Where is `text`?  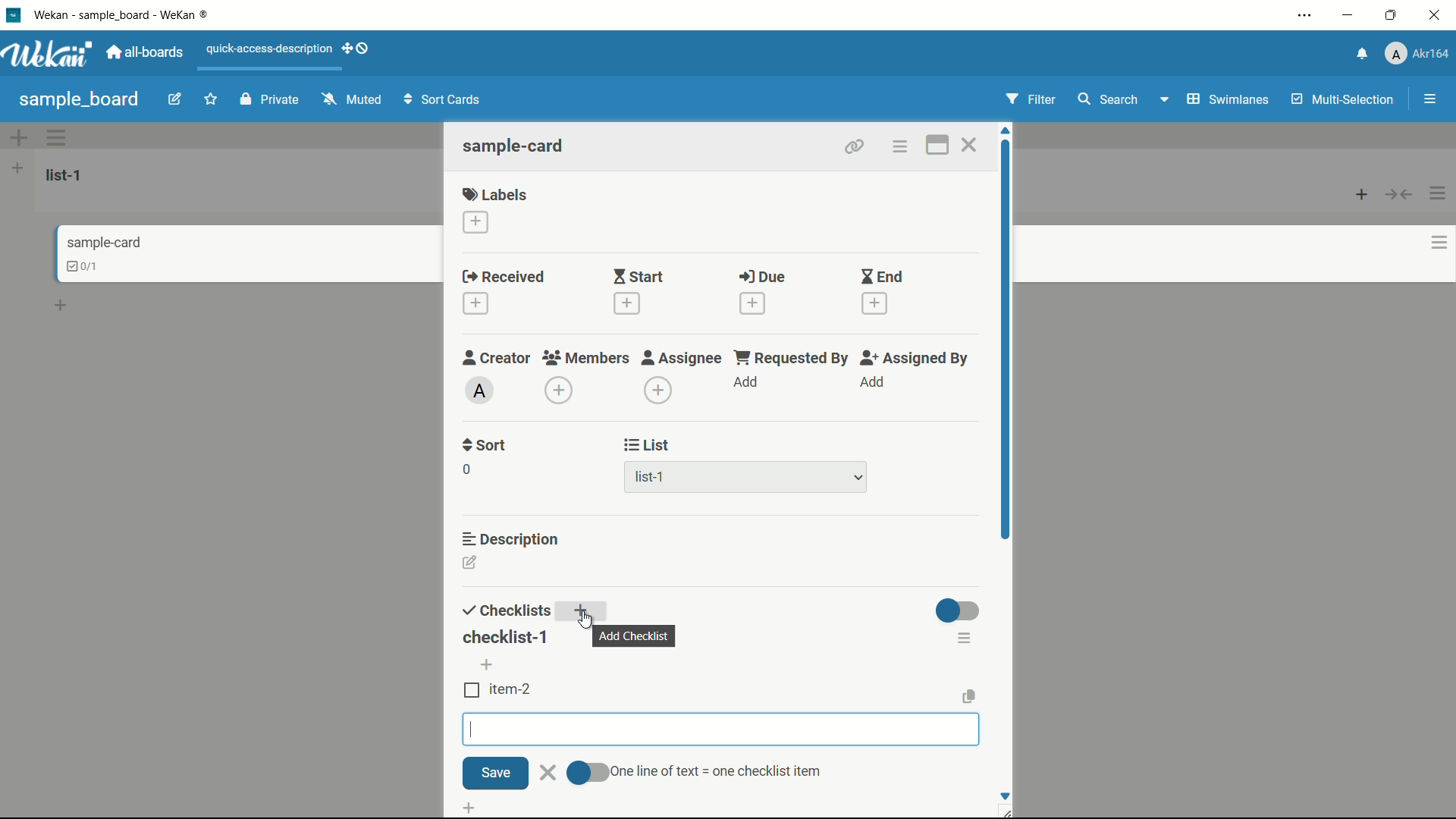
text is located at coordinates (714, 770).